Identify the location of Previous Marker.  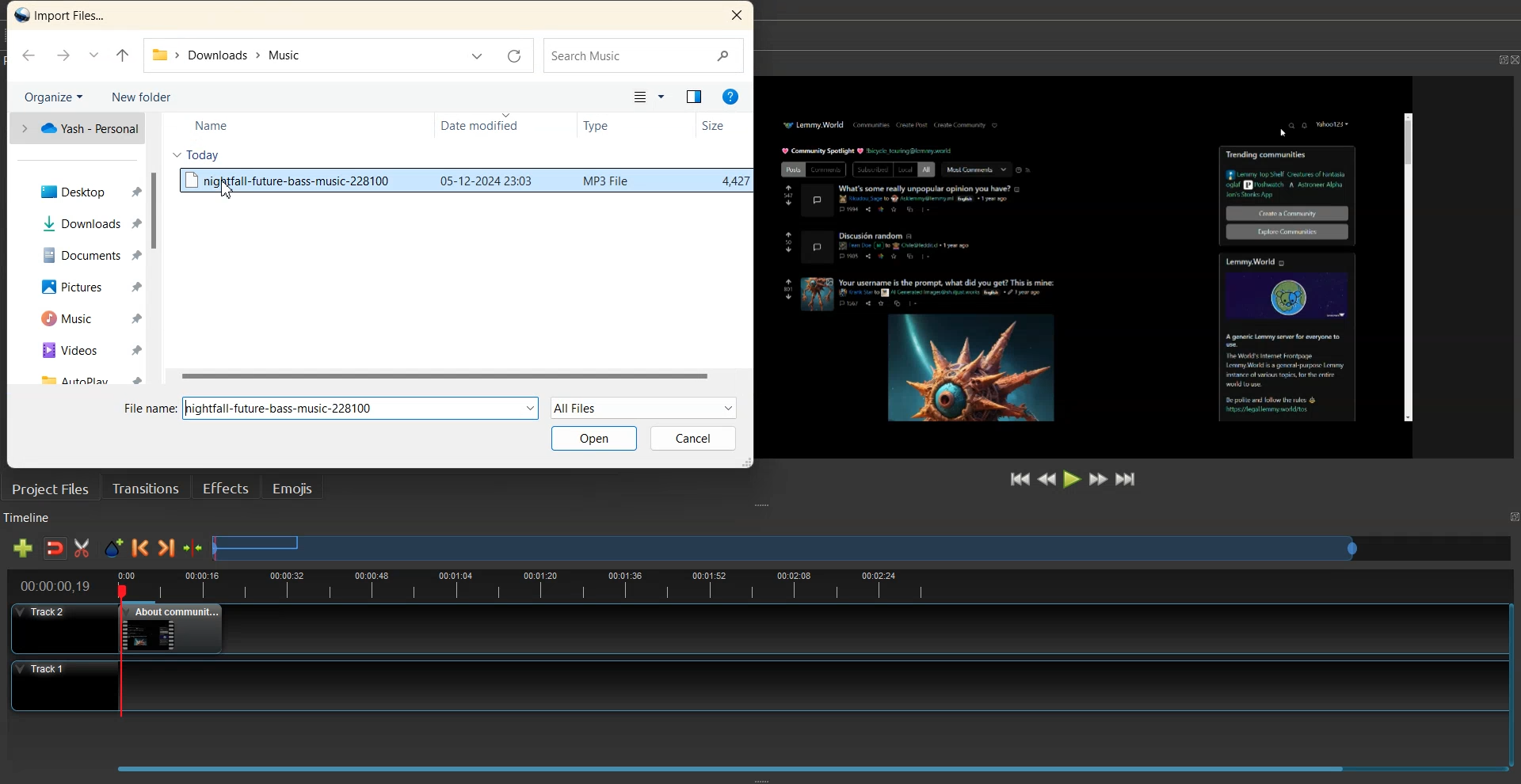
(140, 547).